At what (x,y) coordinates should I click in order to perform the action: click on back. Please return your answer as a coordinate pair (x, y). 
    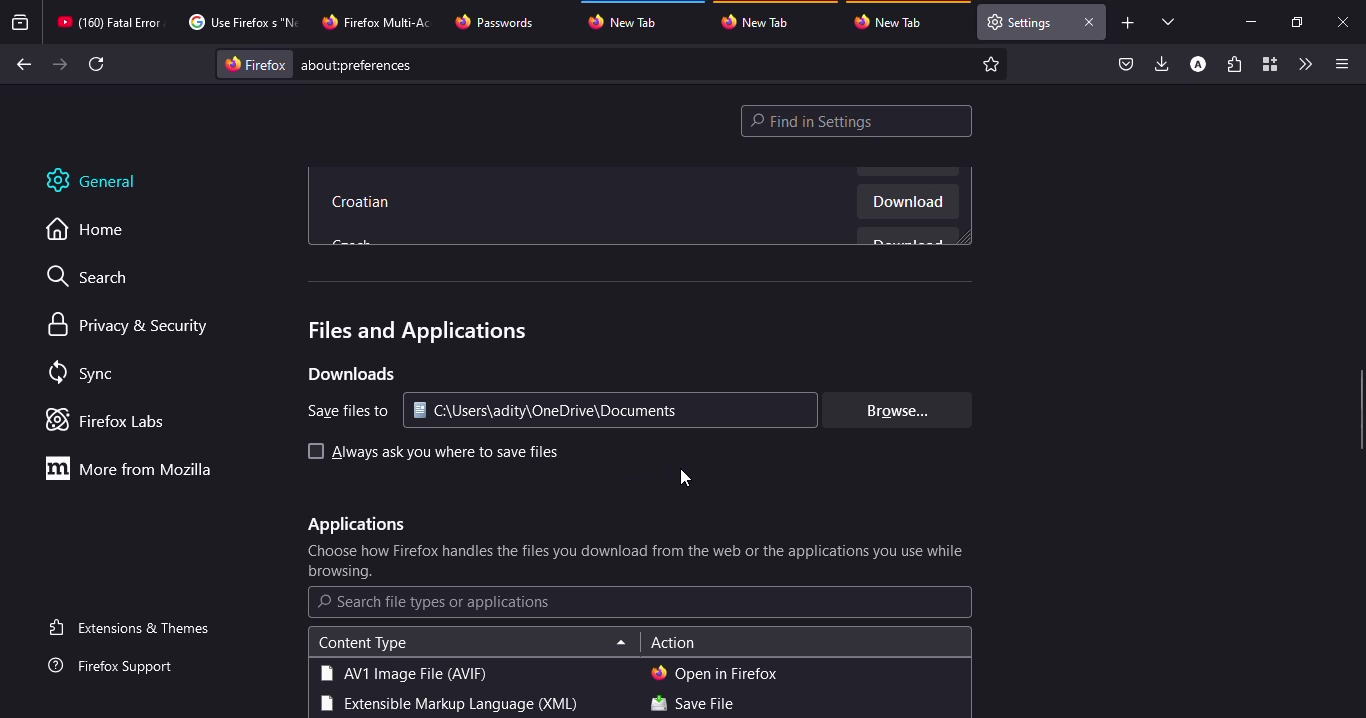
    Looking at the image, I should click on (21, 65).